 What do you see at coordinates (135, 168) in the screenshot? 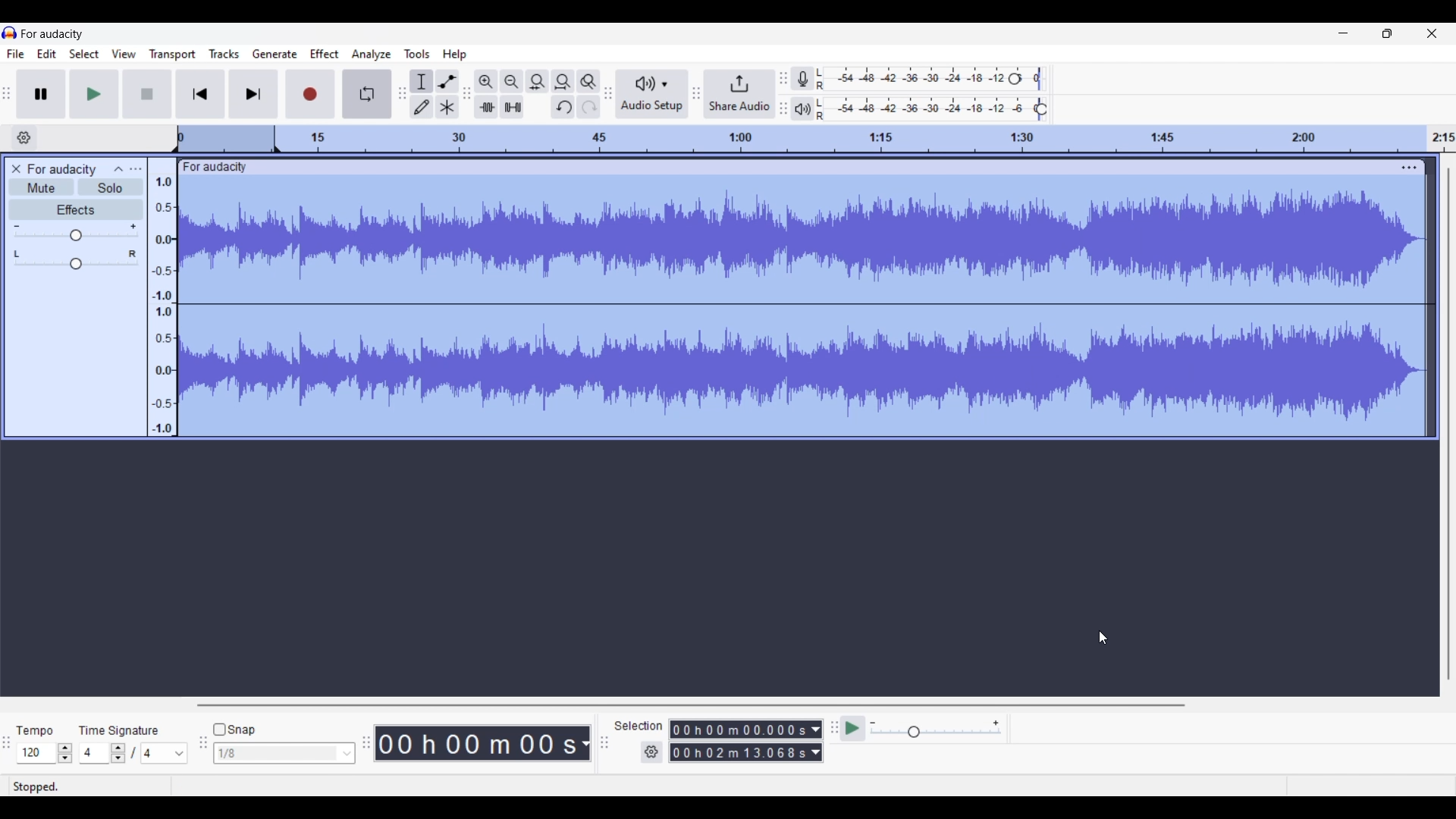
I see `Open menu` at bounding box center [135, 168].